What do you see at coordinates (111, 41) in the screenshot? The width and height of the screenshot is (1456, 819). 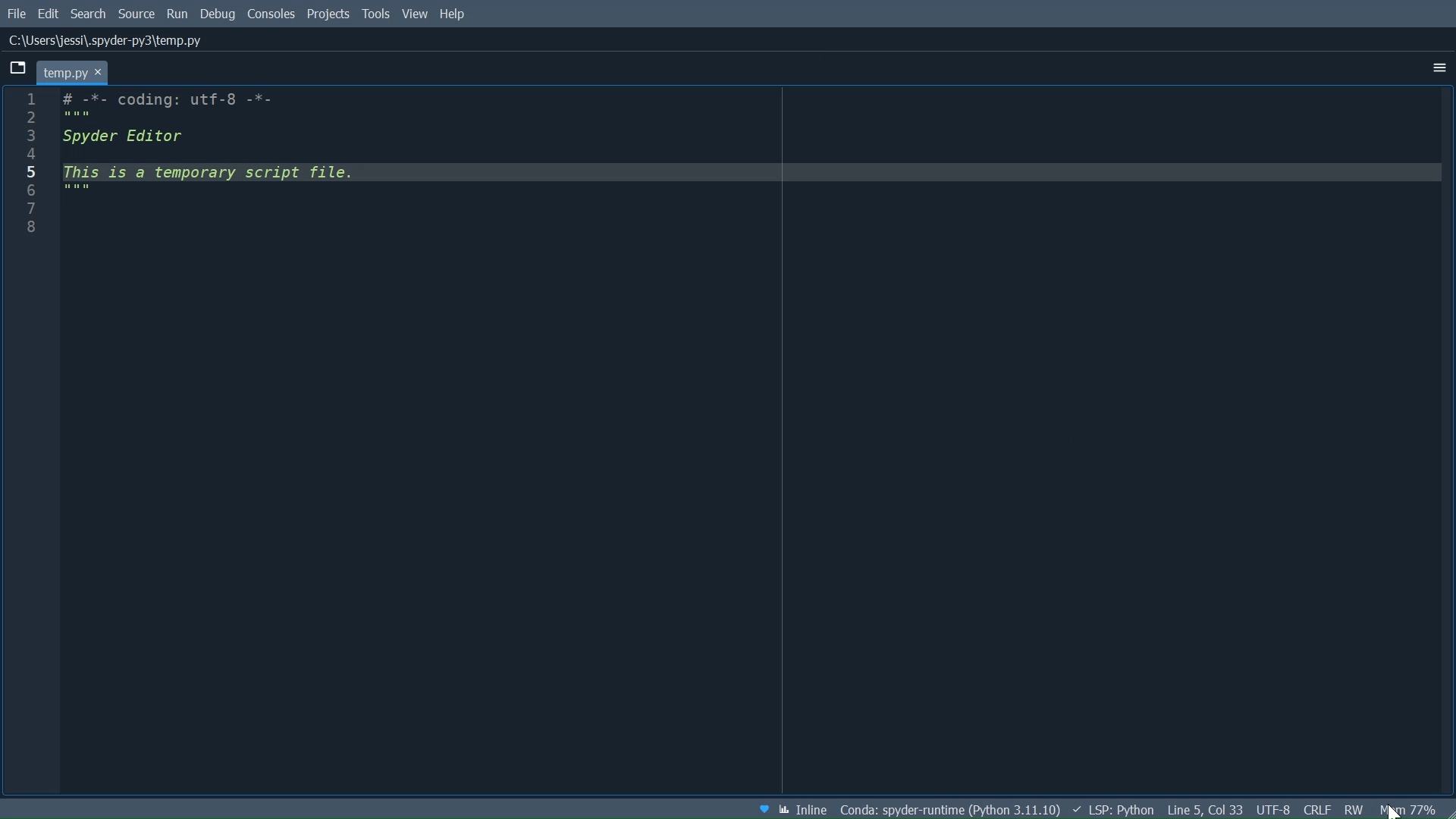 I see `File Path` at bounding box center [111, 41].